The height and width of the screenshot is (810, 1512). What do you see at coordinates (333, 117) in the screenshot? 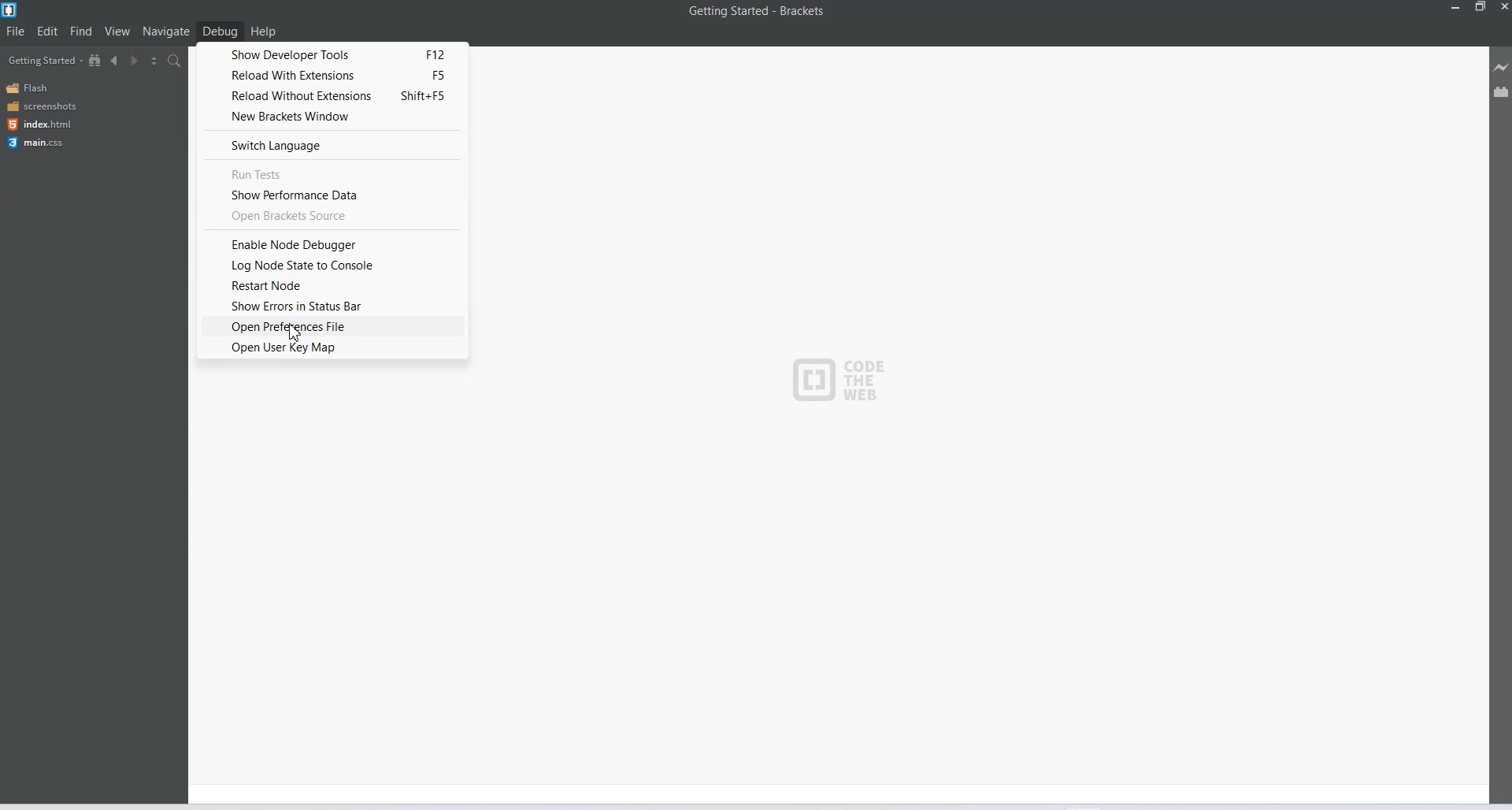
I see `New Brackets Window` at bounding box center [333, 117].